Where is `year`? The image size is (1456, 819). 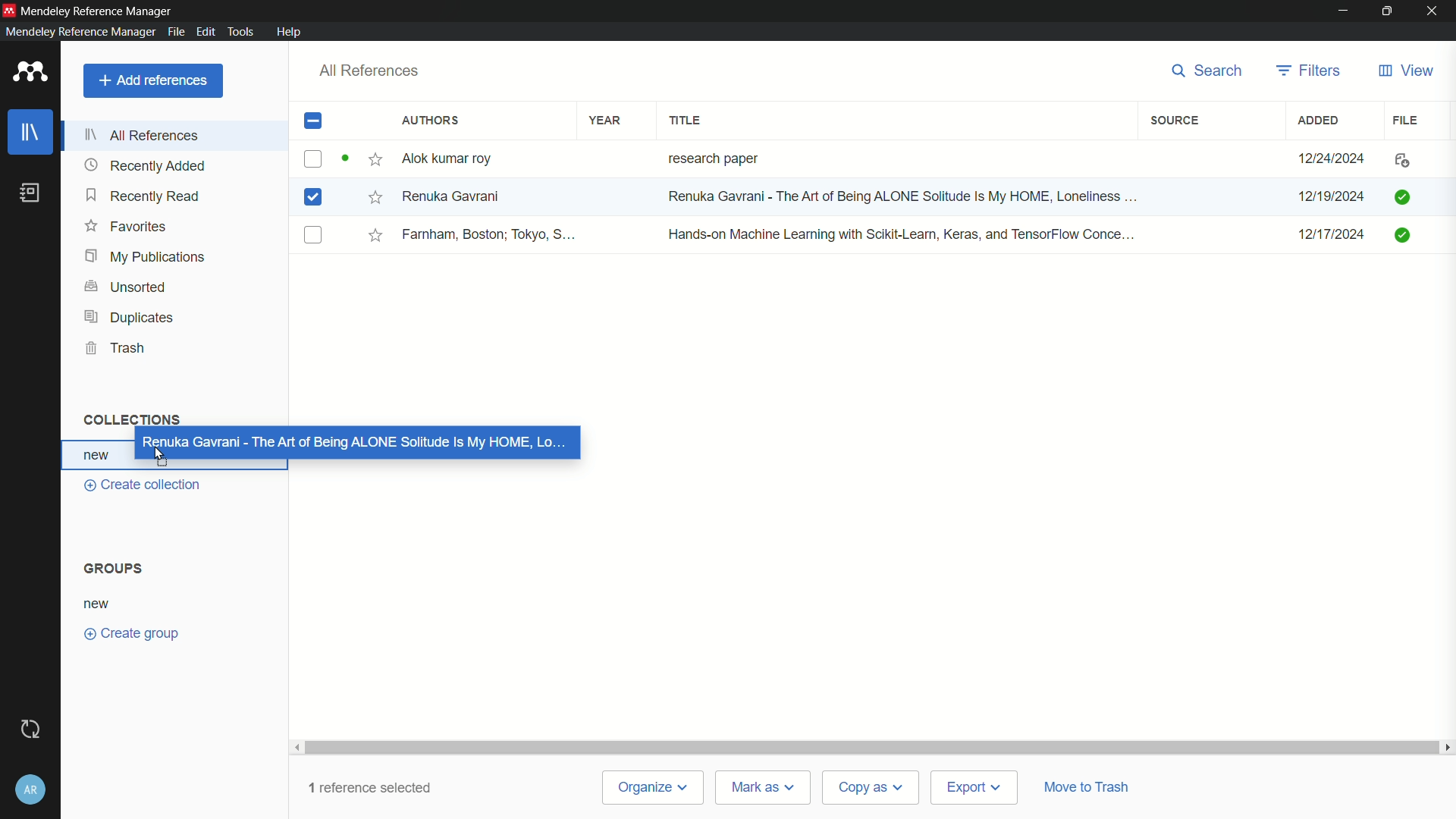
year is located at coordinates (604, 121).